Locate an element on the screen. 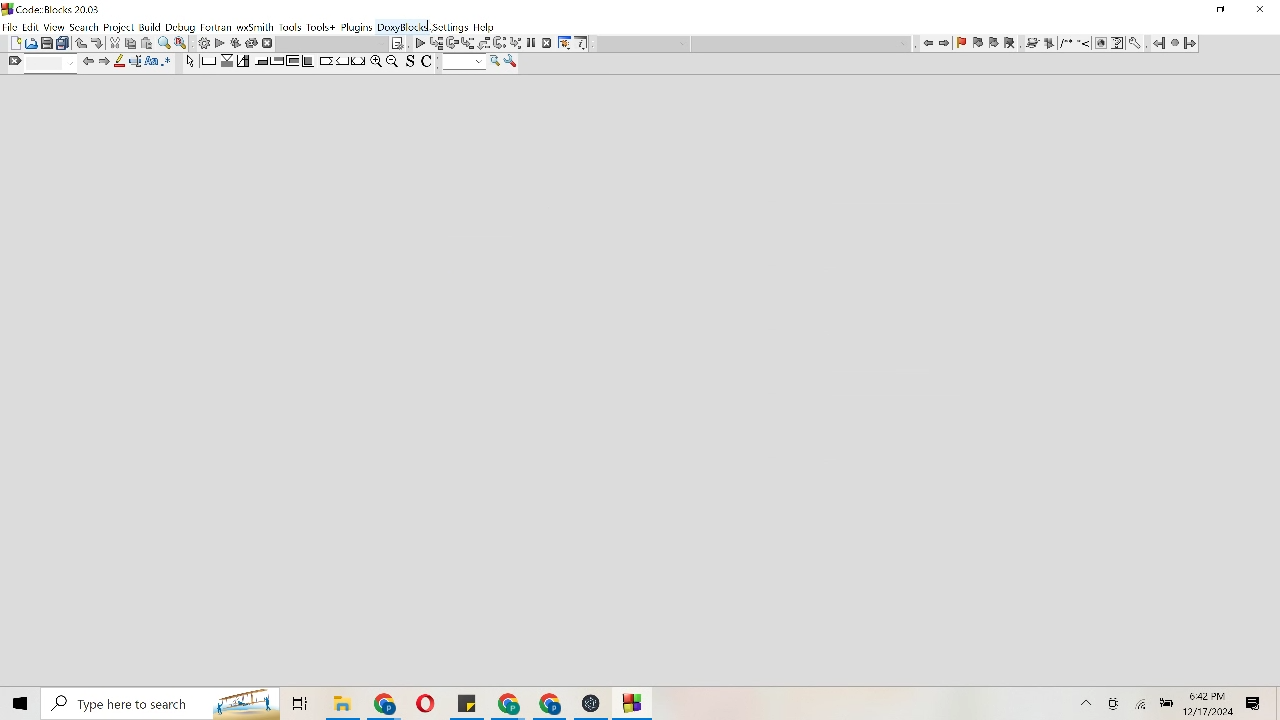  Go Back is located at coordinates (1157, 43).